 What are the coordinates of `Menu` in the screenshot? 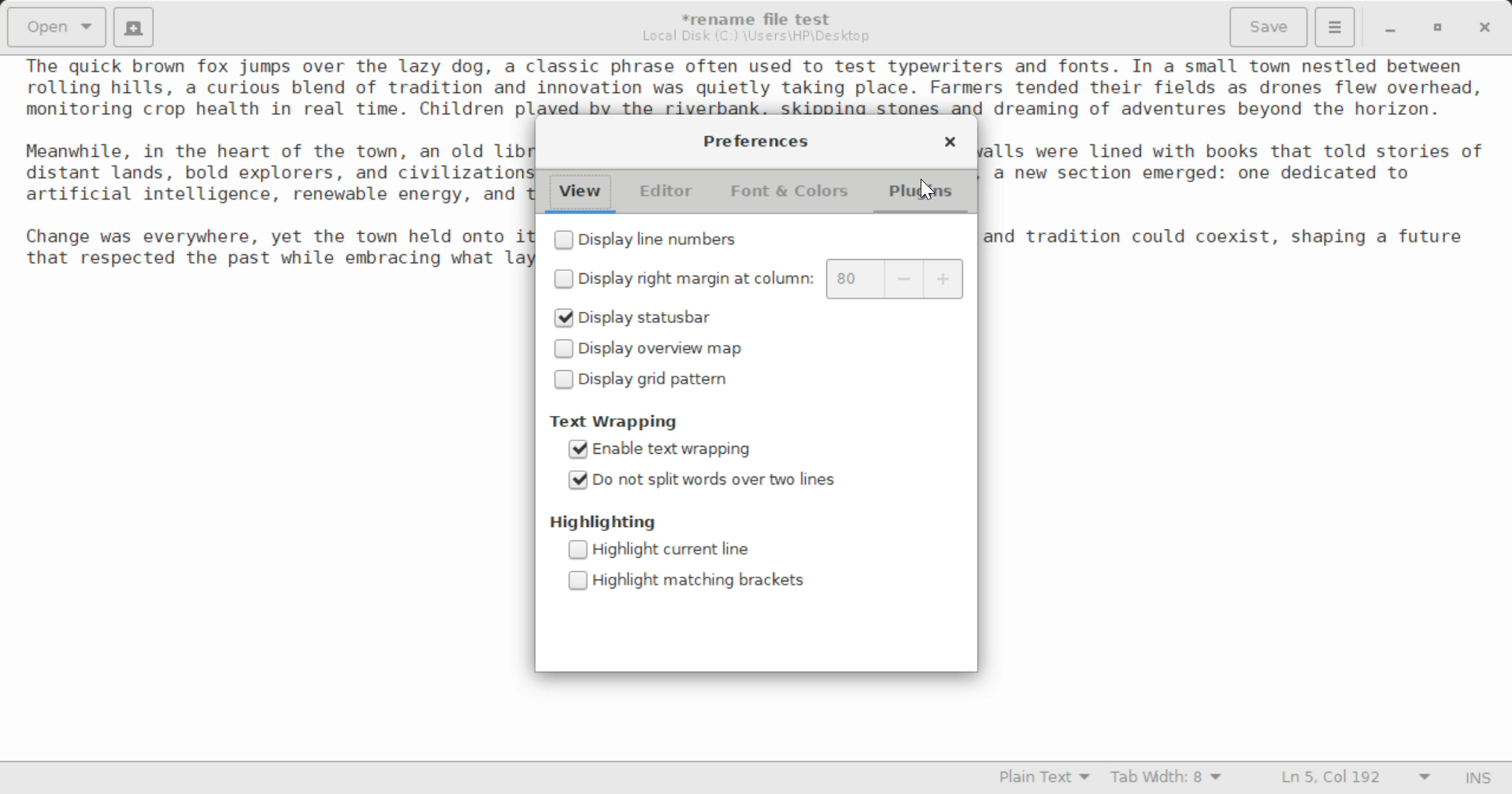 It's located at (1334, 25).